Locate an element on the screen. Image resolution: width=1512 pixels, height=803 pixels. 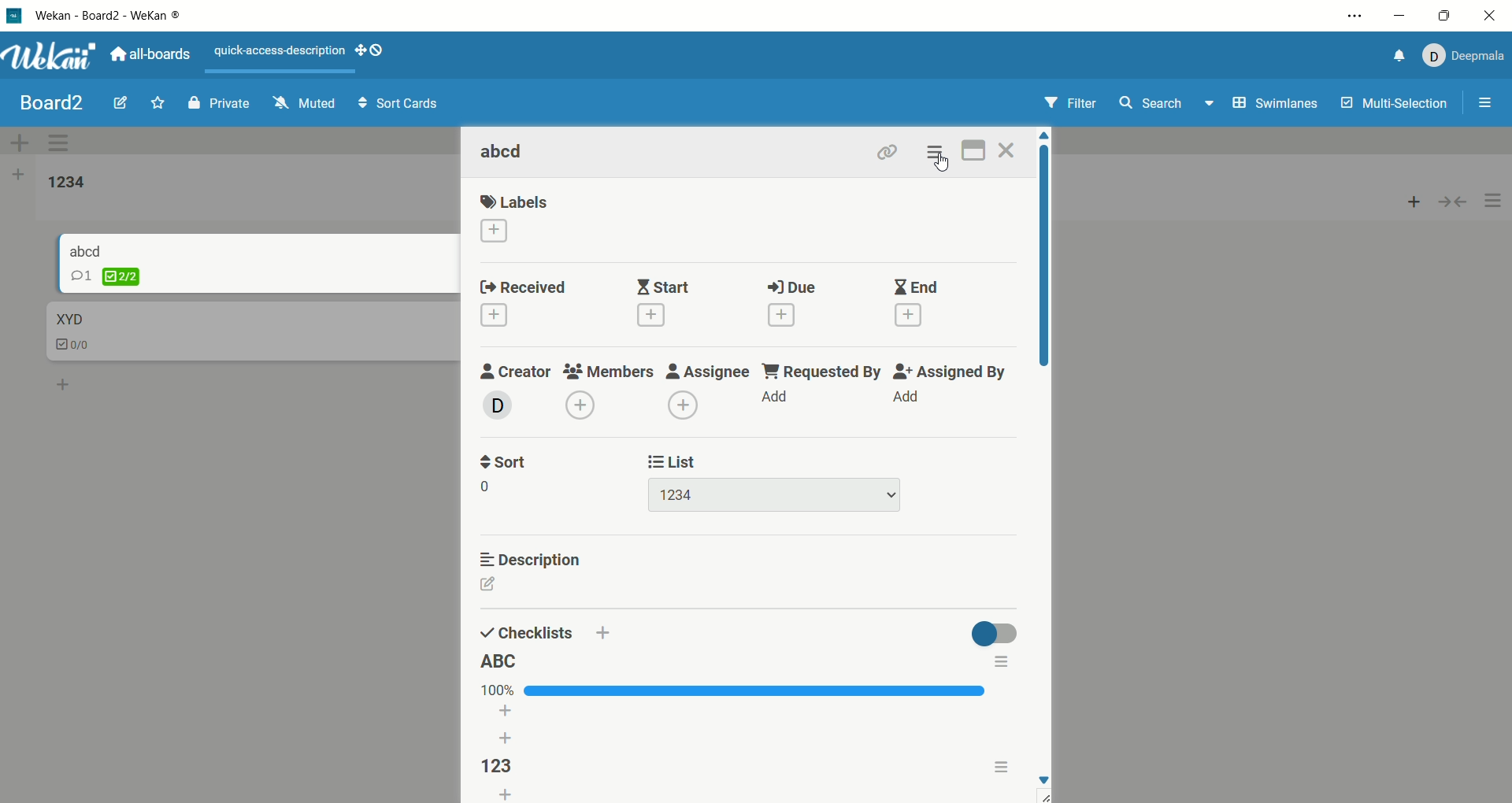
search is located at coordinates (1165, 107).